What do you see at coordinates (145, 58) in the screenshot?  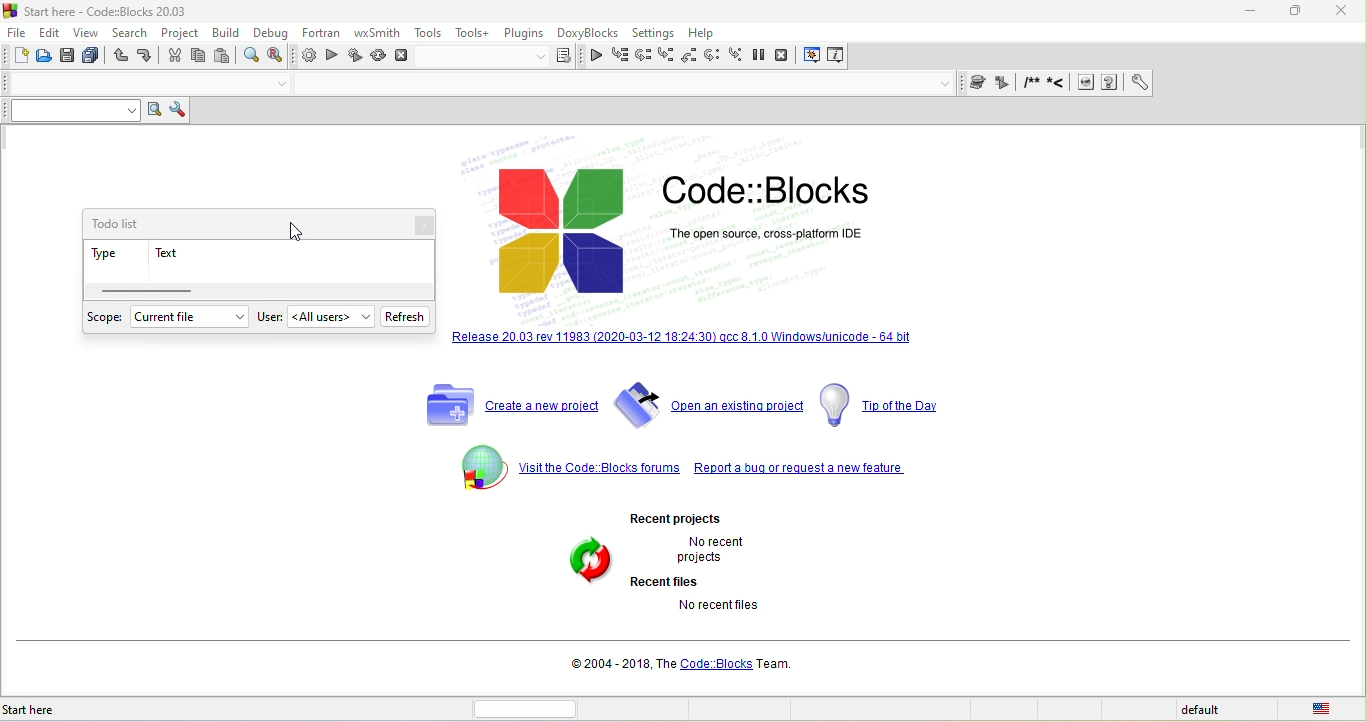 I see `redo` at bounding box center [145, 58].